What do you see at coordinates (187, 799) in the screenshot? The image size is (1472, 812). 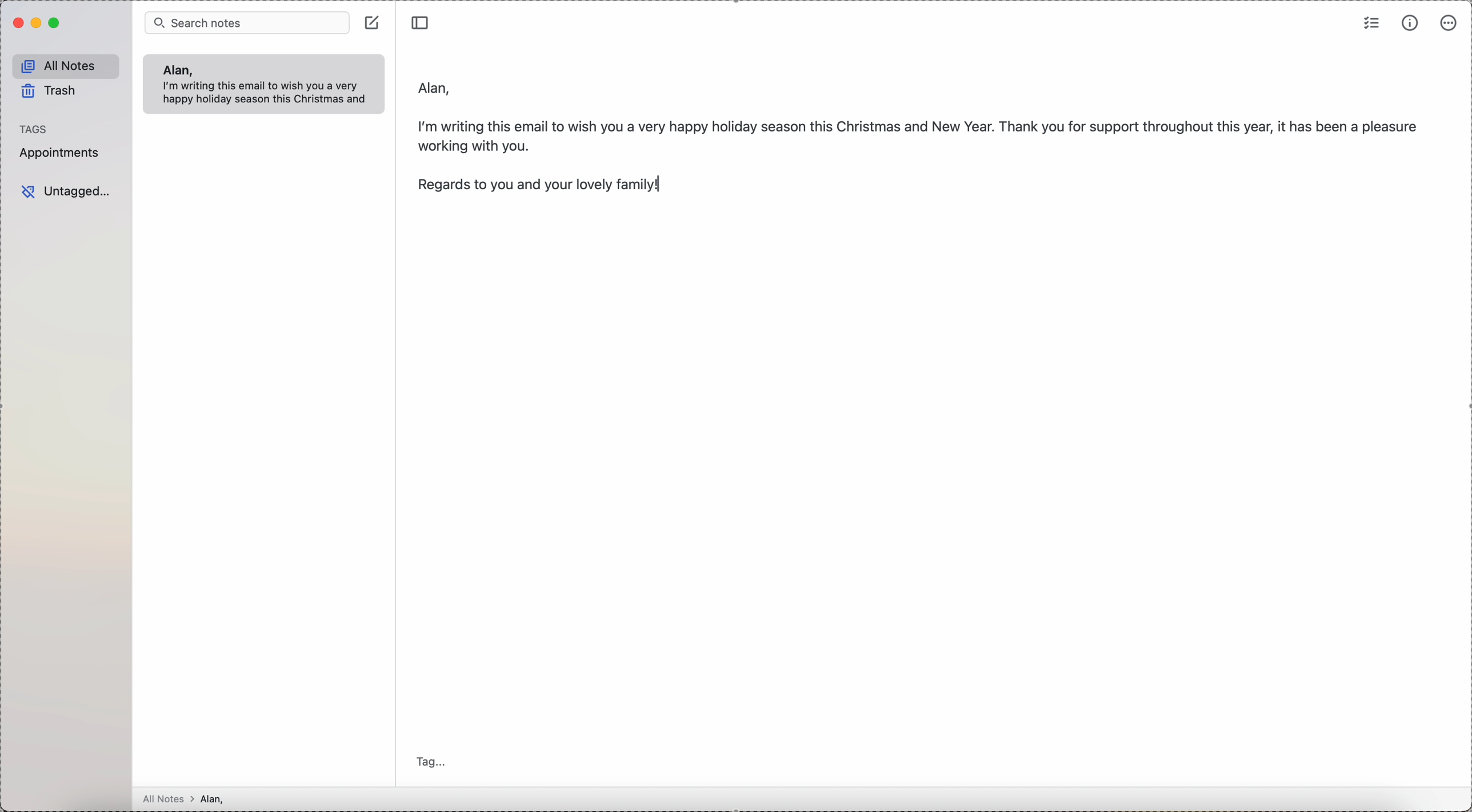 I see `all notes > Alan,` at bounding box center [187, 799].